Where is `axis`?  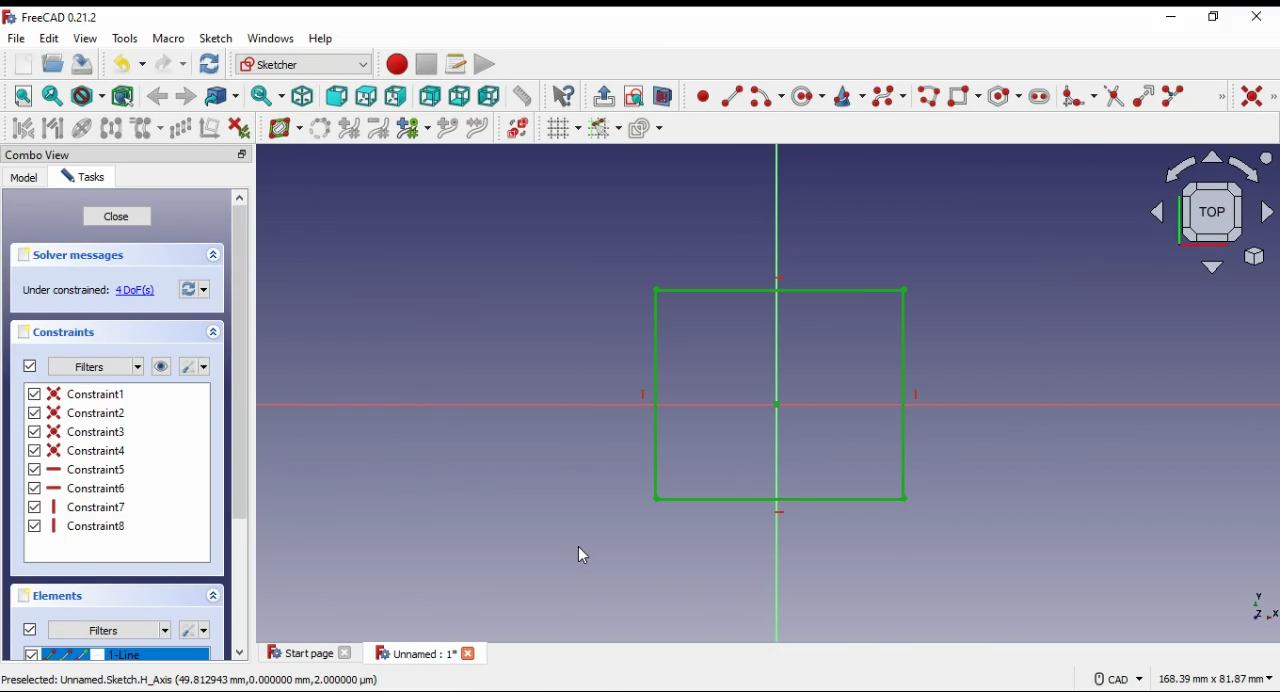
axis is located at coordinates (1253, 603).